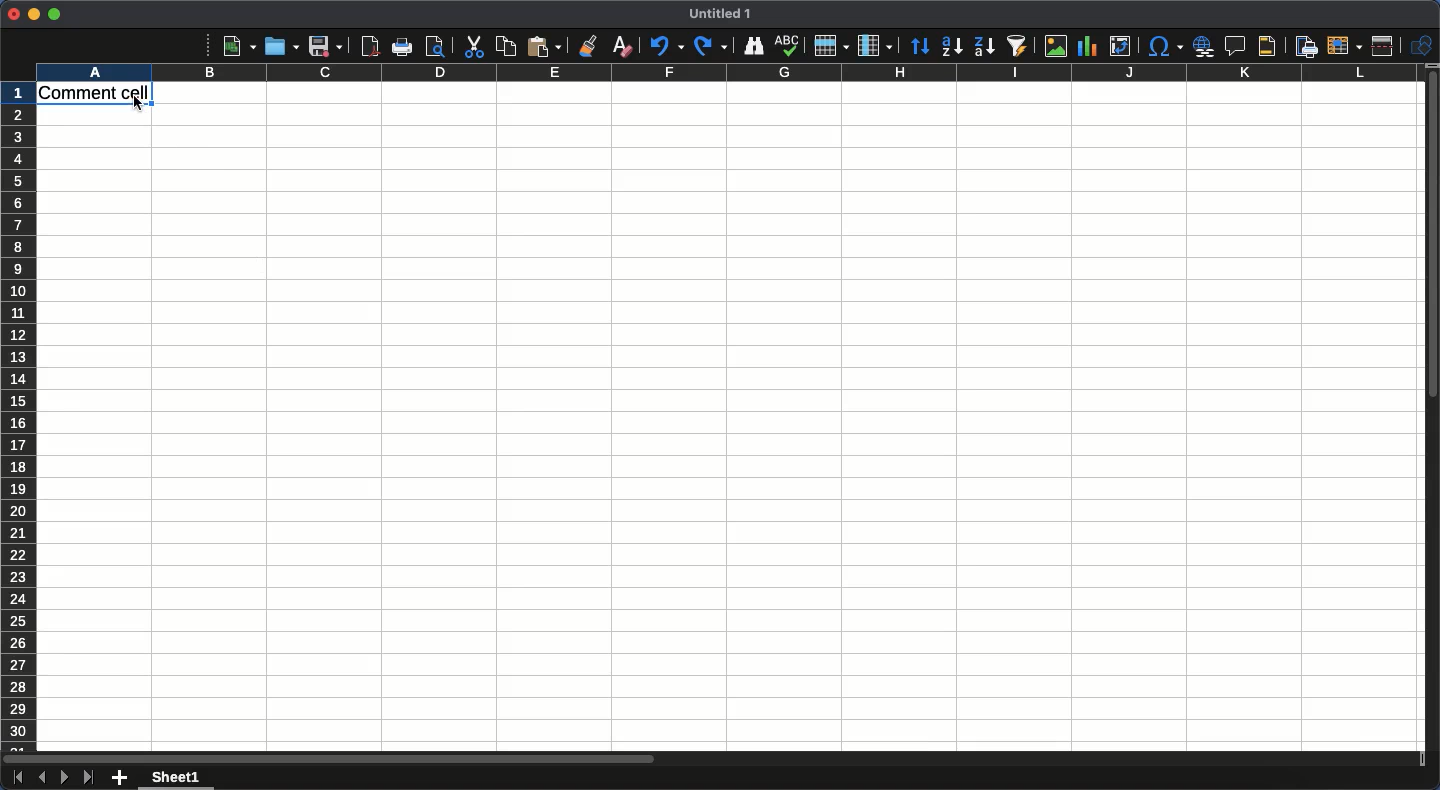 The height and width of the screenshot is (790, 1440). What do you see at coordinates (1306, 46) in the screenshot?
I see `Define print area` at bounding box center [1306, 46].